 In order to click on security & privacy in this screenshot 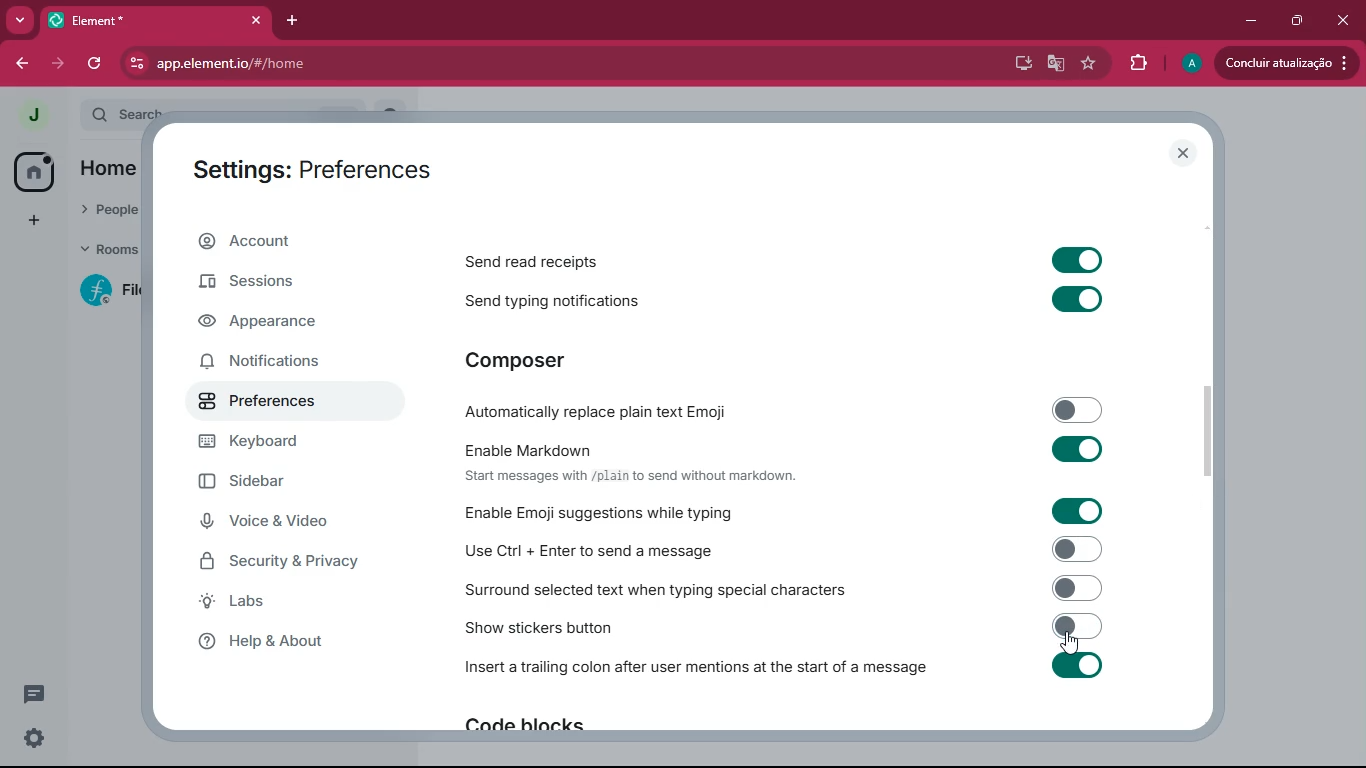, I will do `click(291, 561)`.